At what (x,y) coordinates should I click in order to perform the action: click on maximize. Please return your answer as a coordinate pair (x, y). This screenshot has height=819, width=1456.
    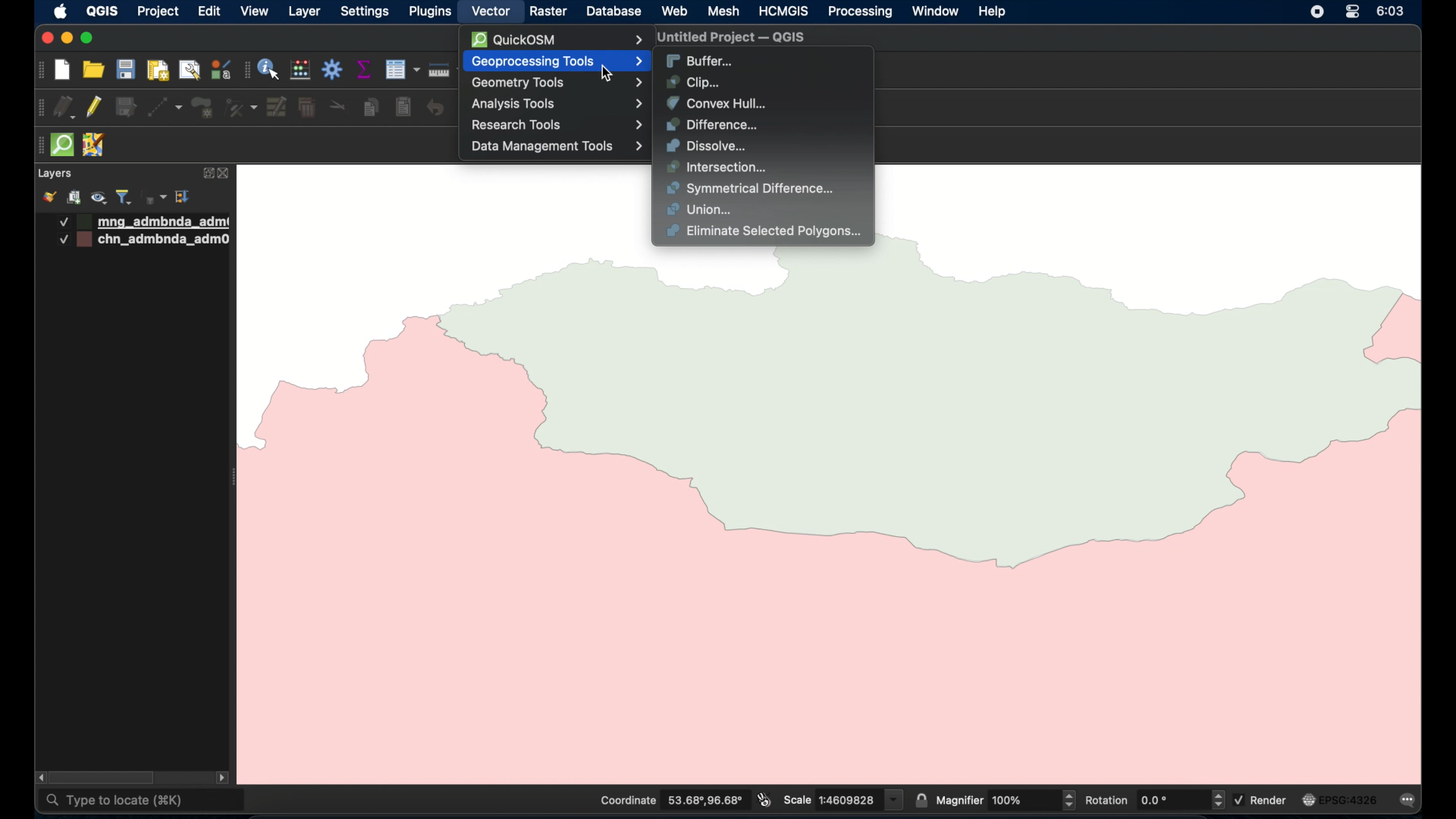
    Looking at the image, I should click on (86, 39).